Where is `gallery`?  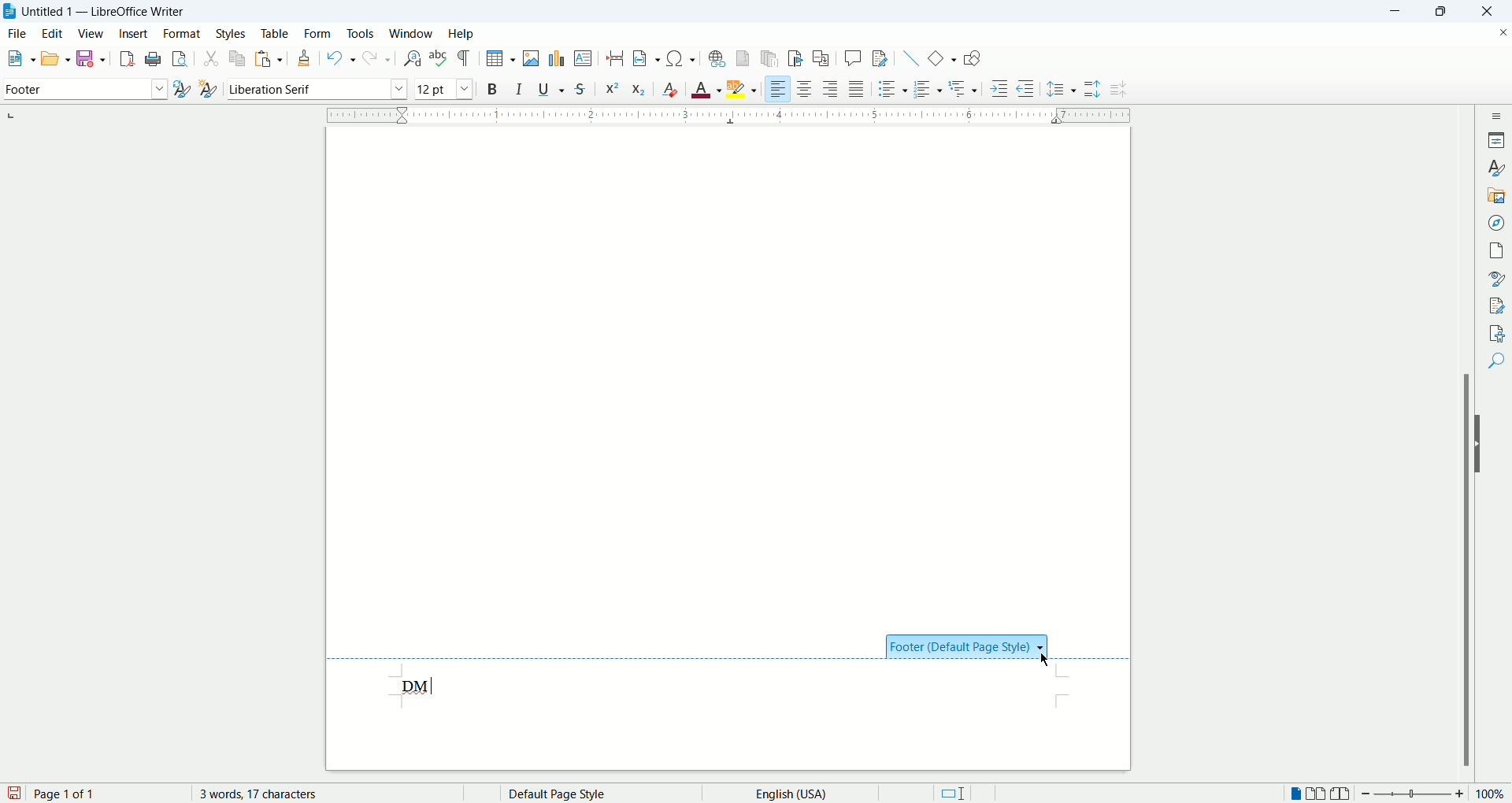
gallery is located at coordinates (1497, 194).